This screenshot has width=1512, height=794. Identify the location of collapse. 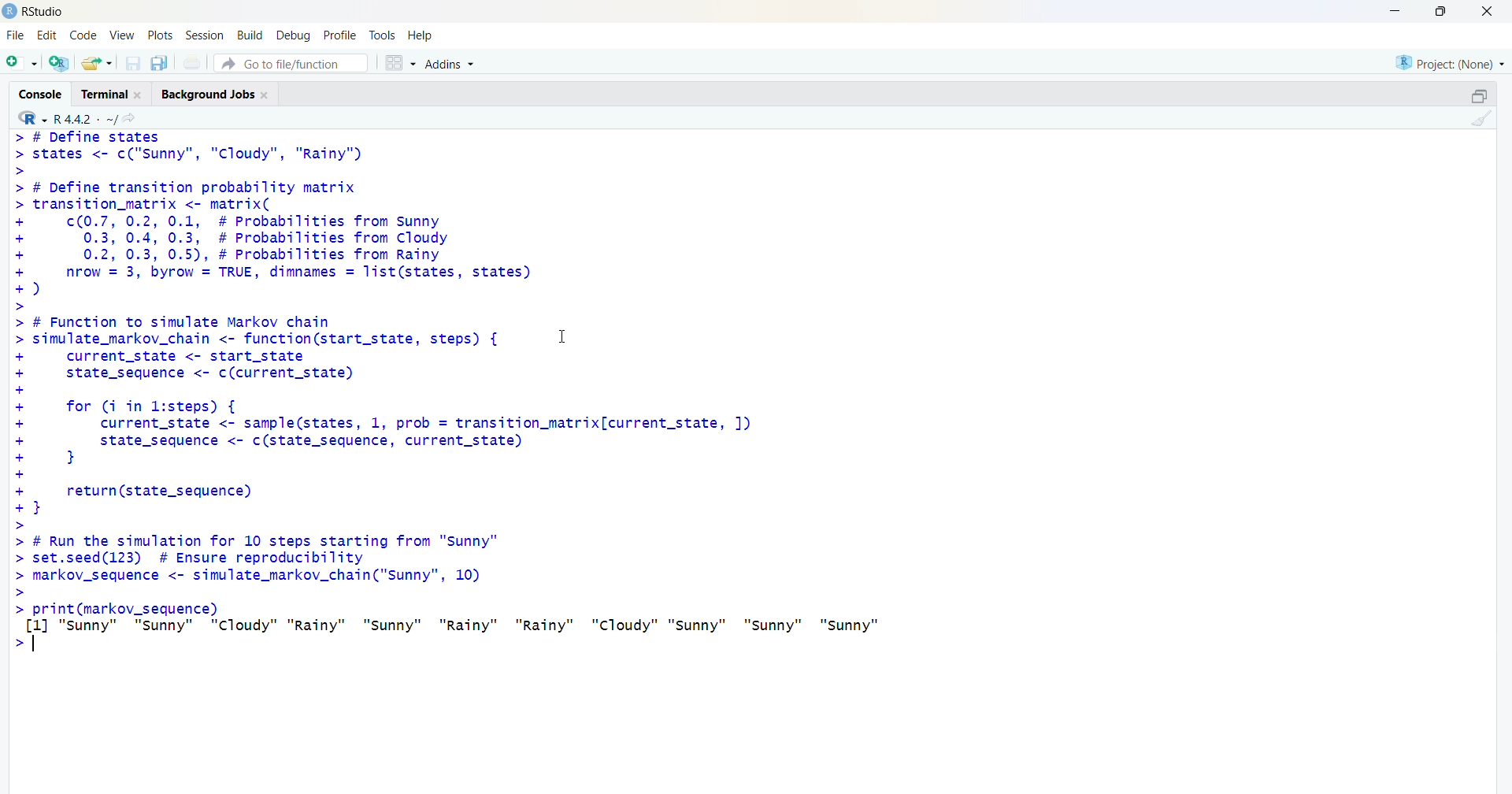
(1478, 96).